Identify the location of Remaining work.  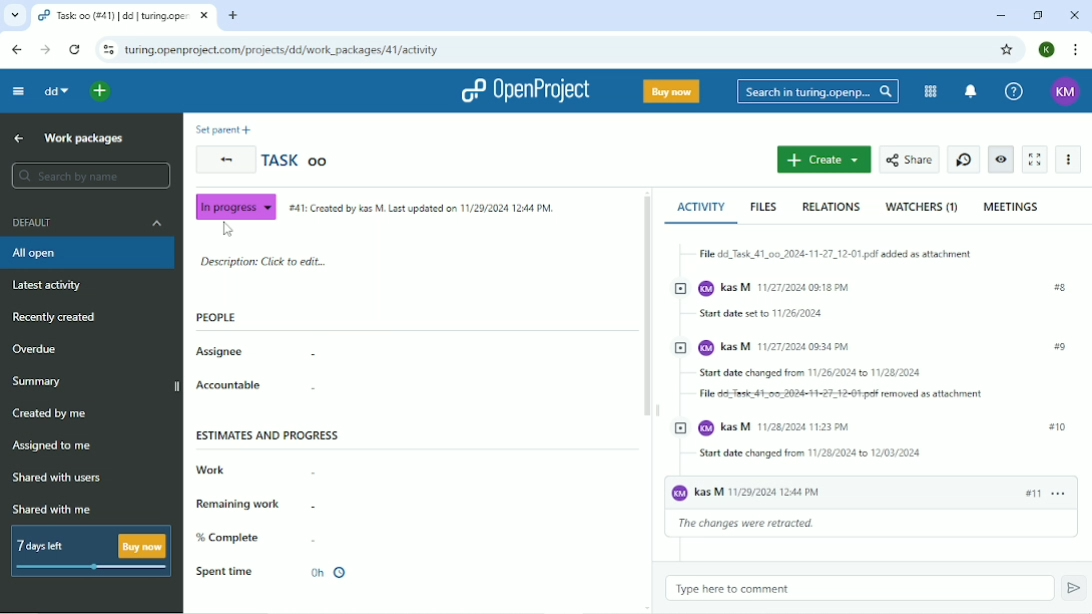
(241, 505).